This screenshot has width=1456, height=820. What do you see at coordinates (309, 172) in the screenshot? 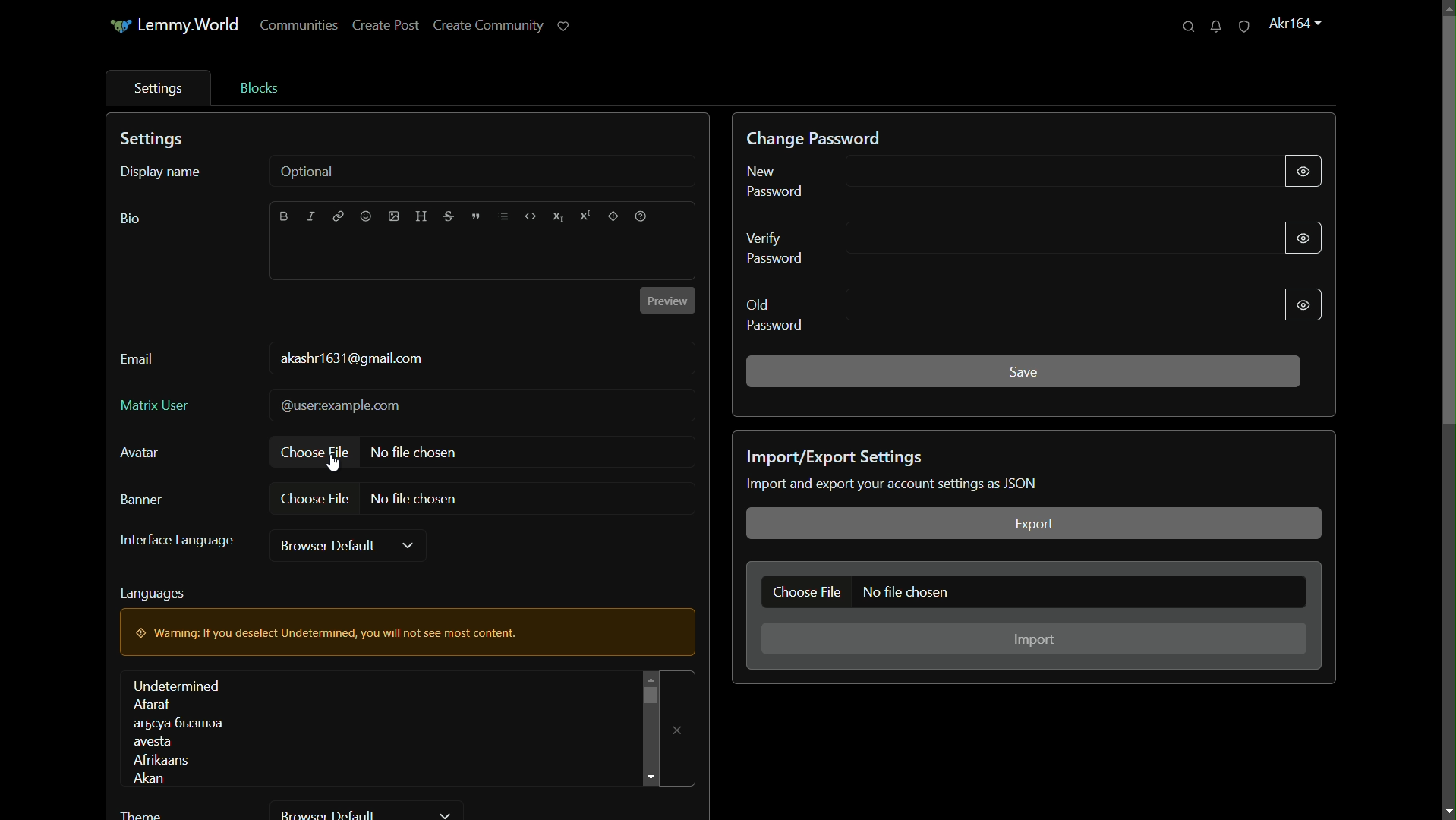
I see `optional` at bounding box center [309, 172].